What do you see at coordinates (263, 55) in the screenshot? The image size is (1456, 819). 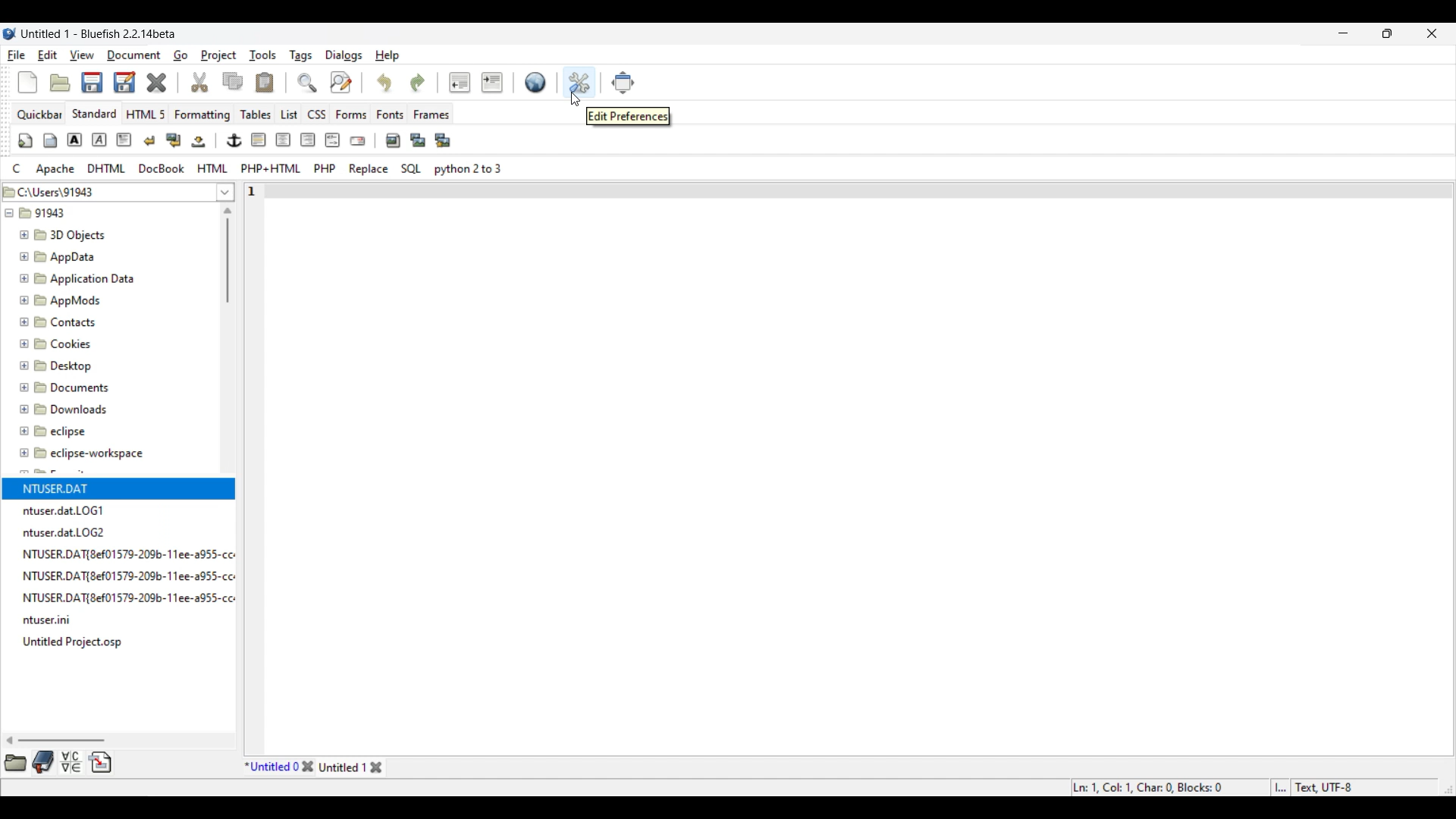 I see `Tools menu` at bounding box center [263, 55].